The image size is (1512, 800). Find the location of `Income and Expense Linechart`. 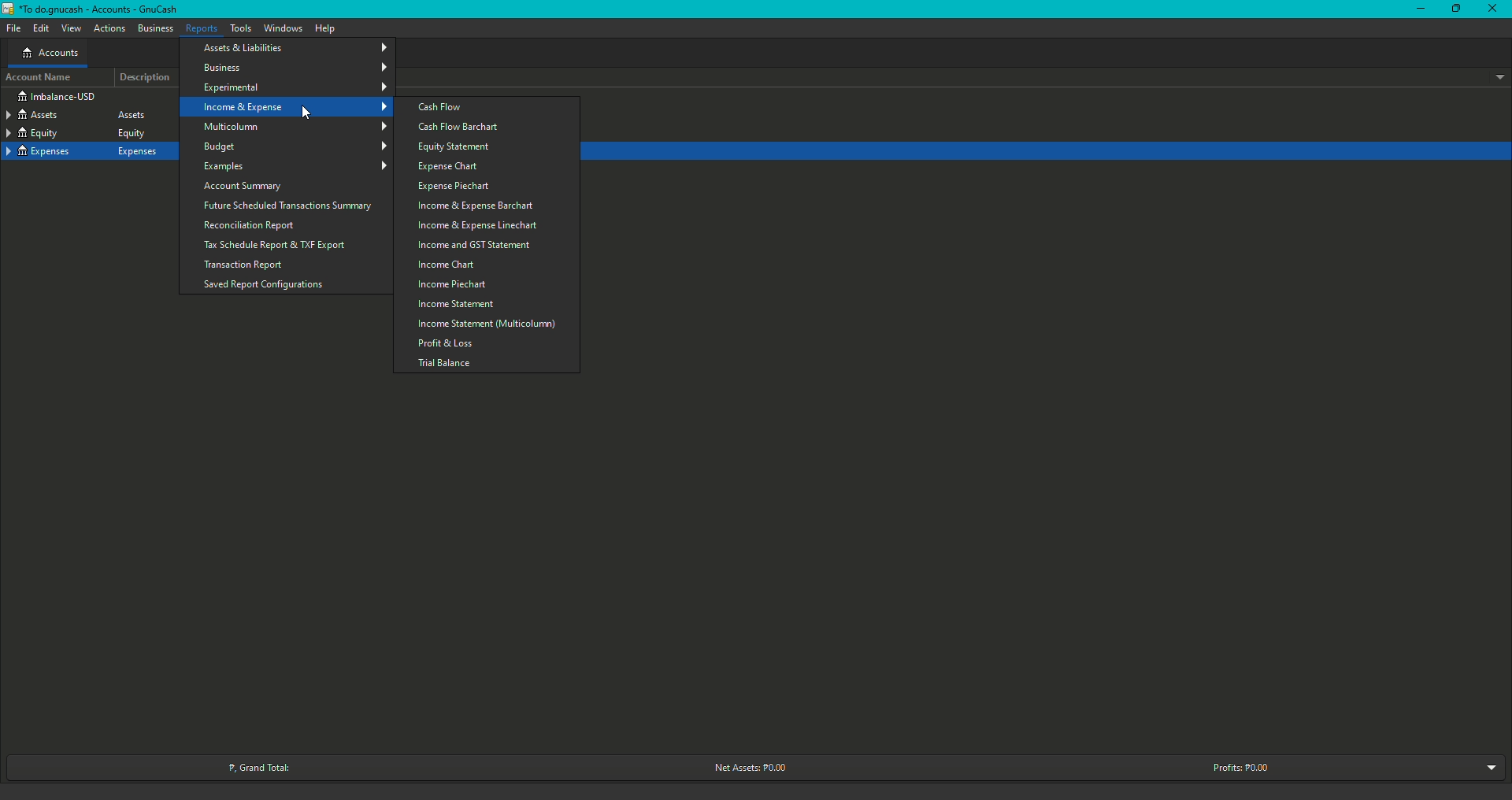

Income and Expense Linechart is located at coordinates (479, 226).